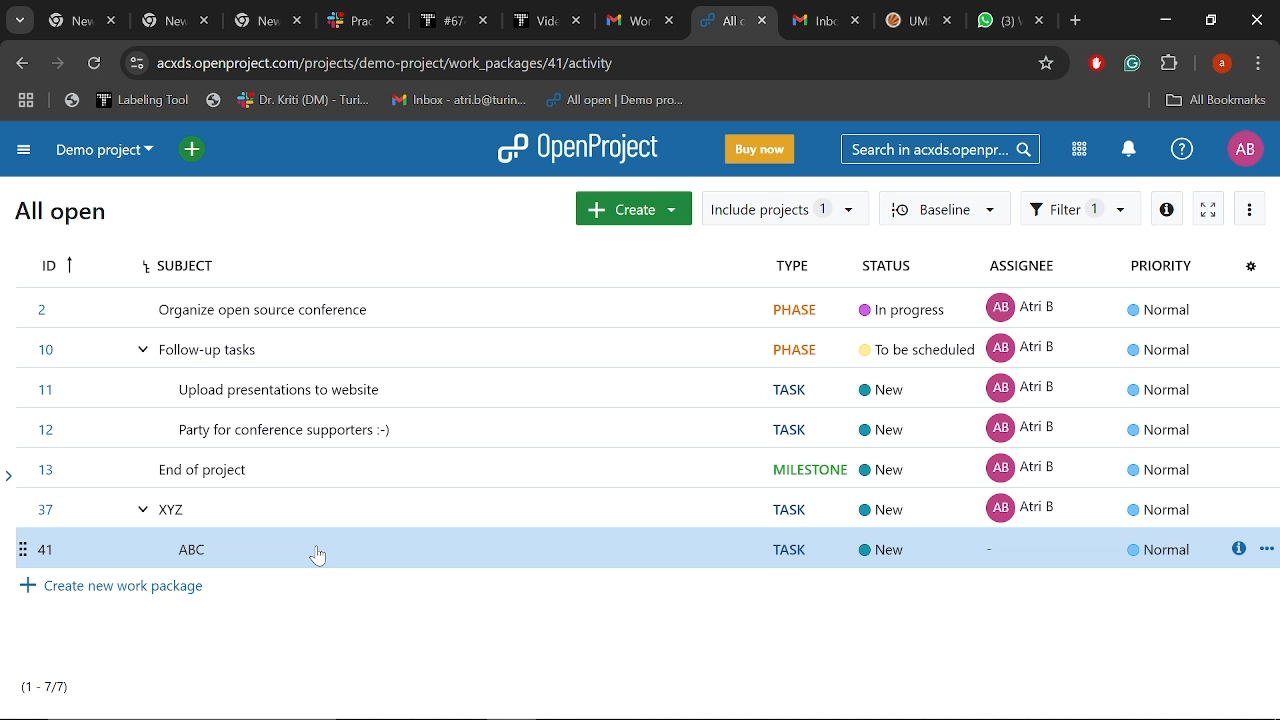 This screenshot has width=1280, height=720. What do you see at coordinates (14, 480) in the screenshot?
I see `arrow pointing to task 13` at bounding box center [14, 480].